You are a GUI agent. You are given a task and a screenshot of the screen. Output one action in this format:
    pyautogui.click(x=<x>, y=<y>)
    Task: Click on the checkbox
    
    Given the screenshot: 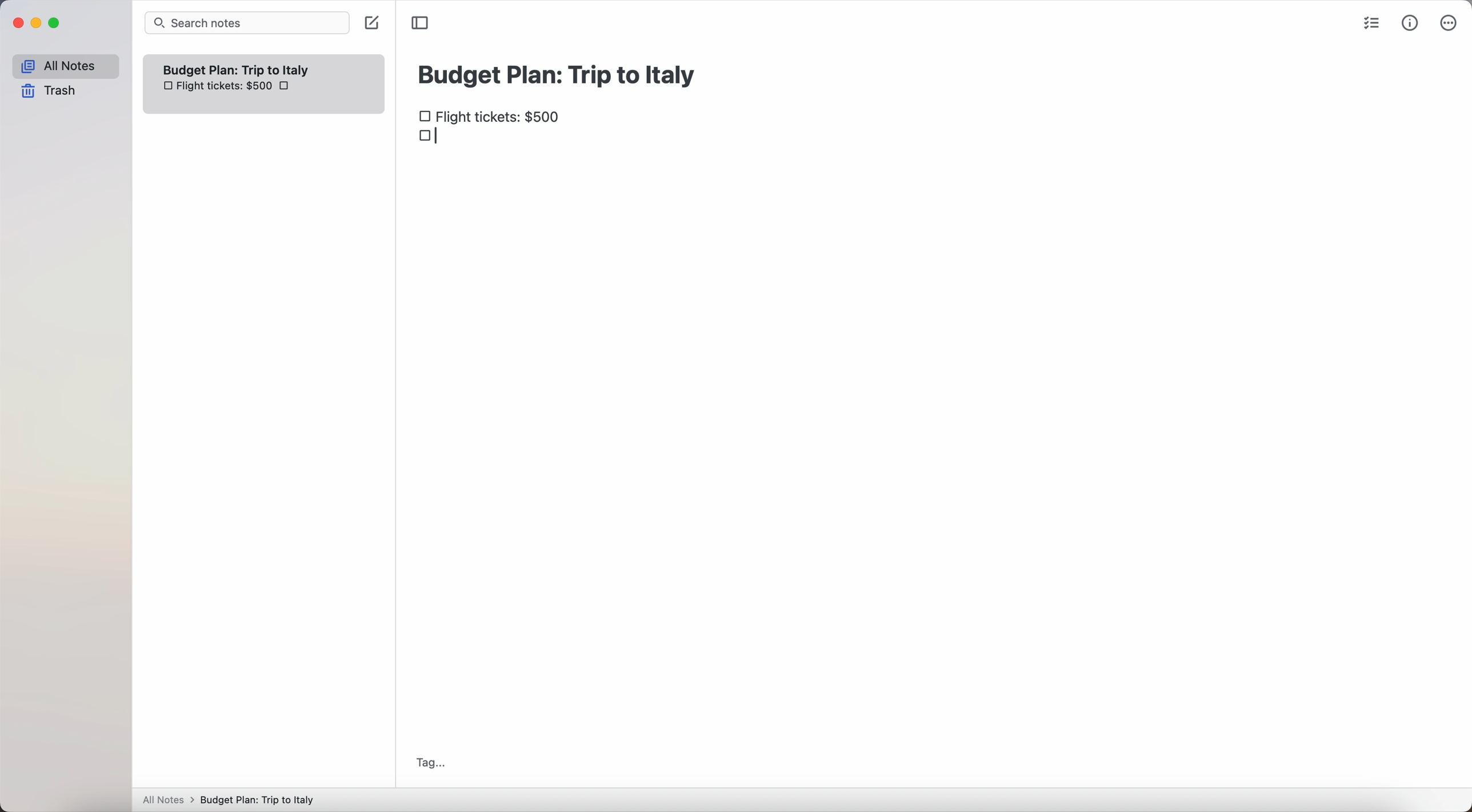 What is the action you would take?
    pyautogui.click(x=433, y=137)
    